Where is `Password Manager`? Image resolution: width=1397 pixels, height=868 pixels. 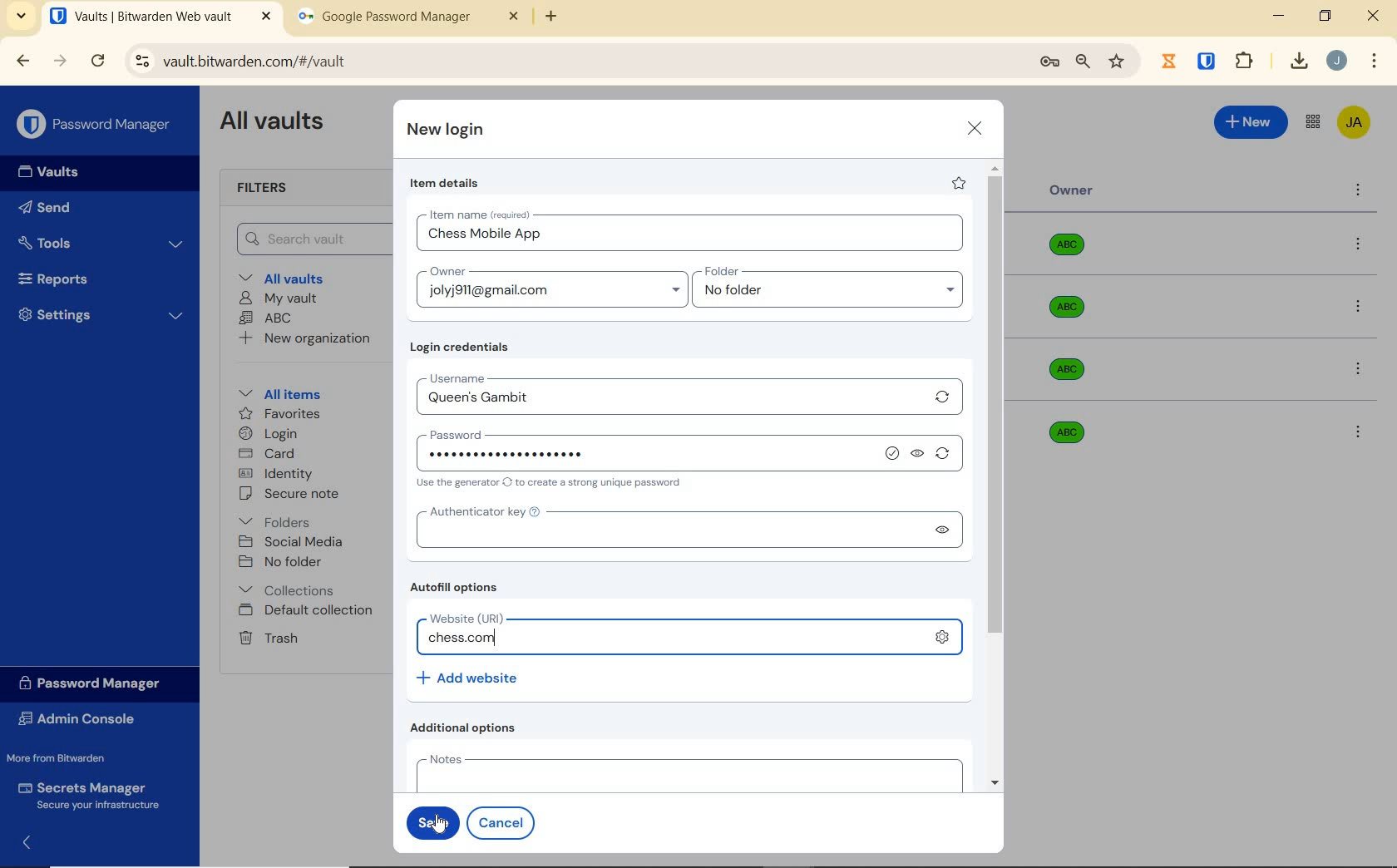 Password Manager is located at coordinates (96, 126).